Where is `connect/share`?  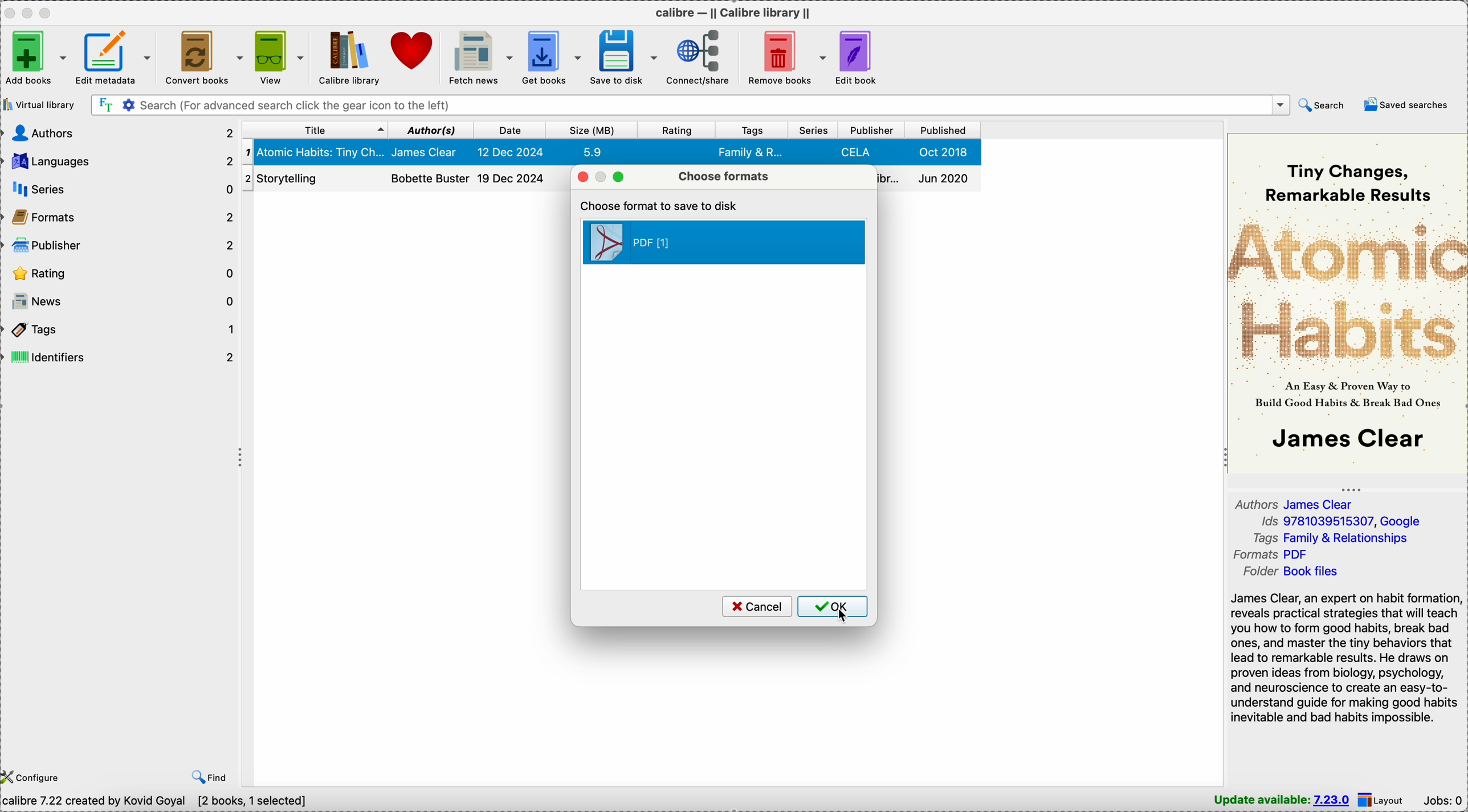
connect/share is located at coordinates (695, 57).